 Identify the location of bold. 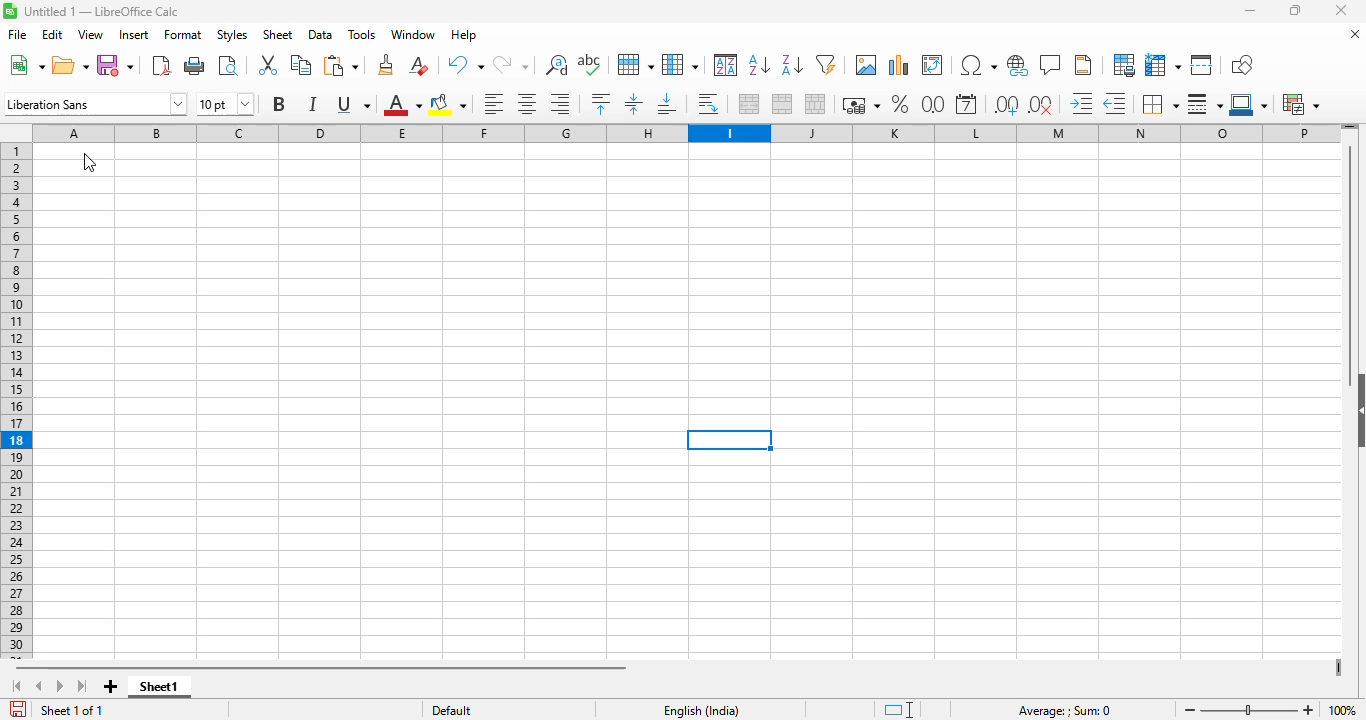
(278, 103).